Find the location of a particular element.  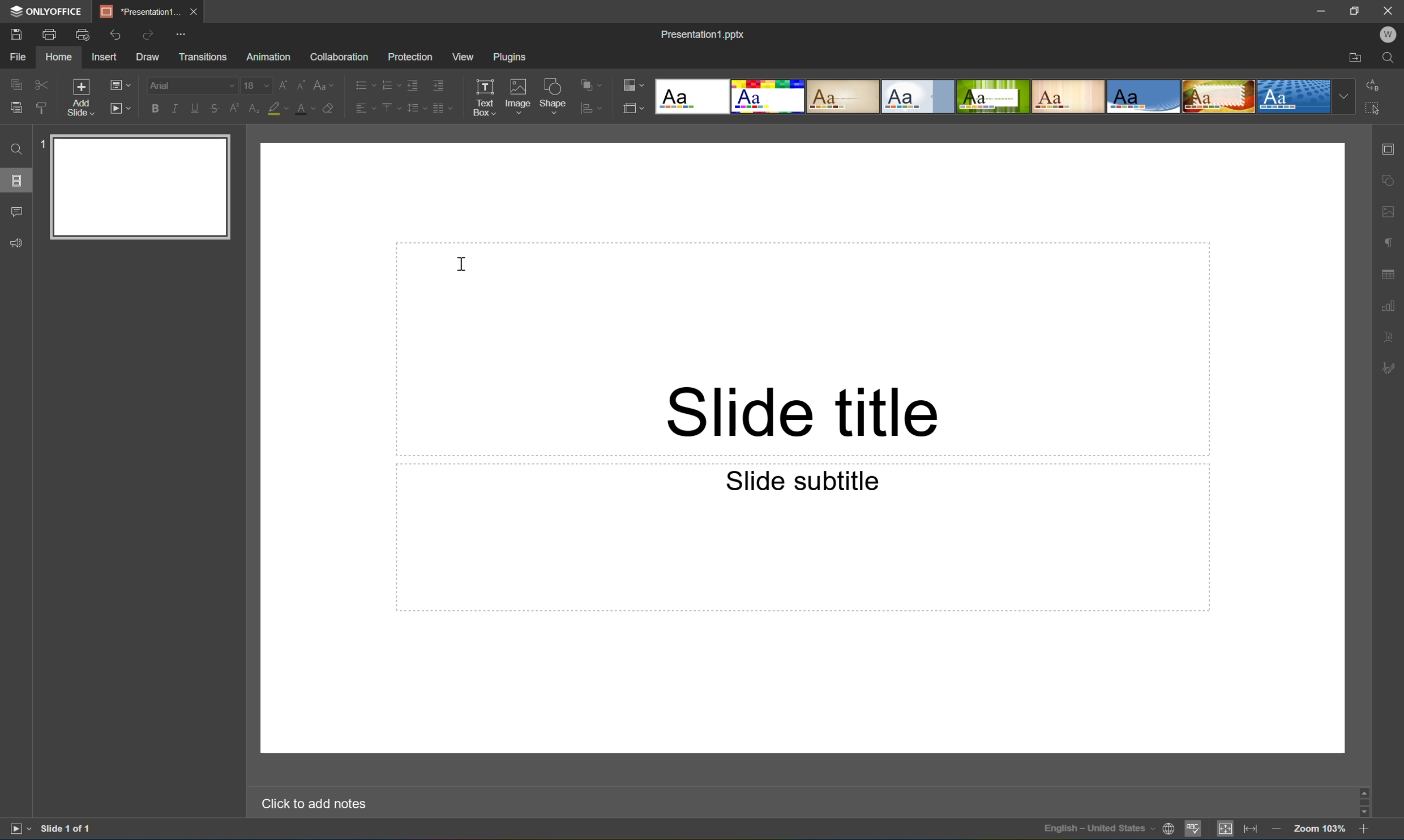

English - United States is located at coordinates (1098, 832).